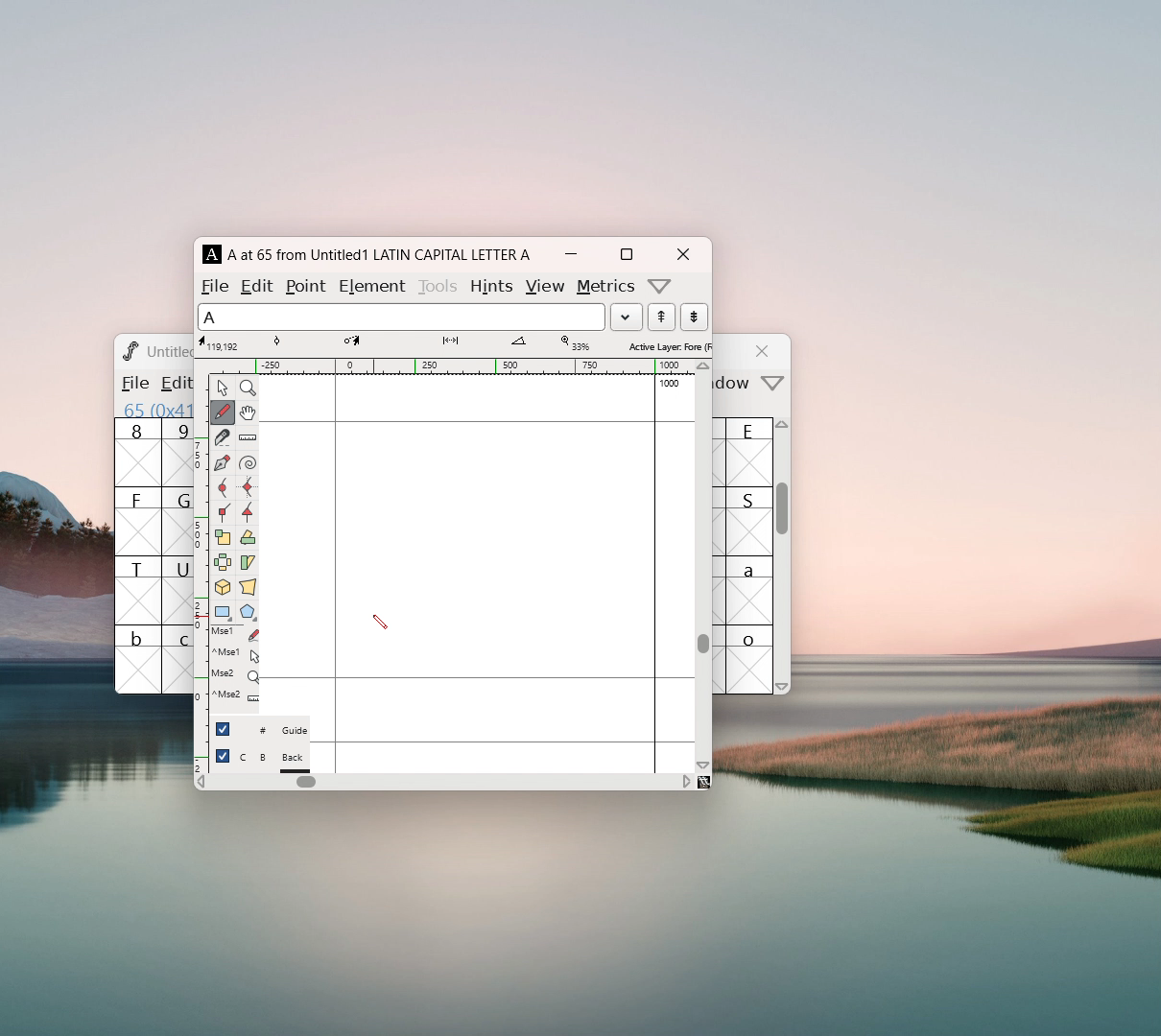 This screenshot has width=1161, height=1036. Describe the element at coordinates (478, 678) in the screenshot. I see `baseline` at that location.